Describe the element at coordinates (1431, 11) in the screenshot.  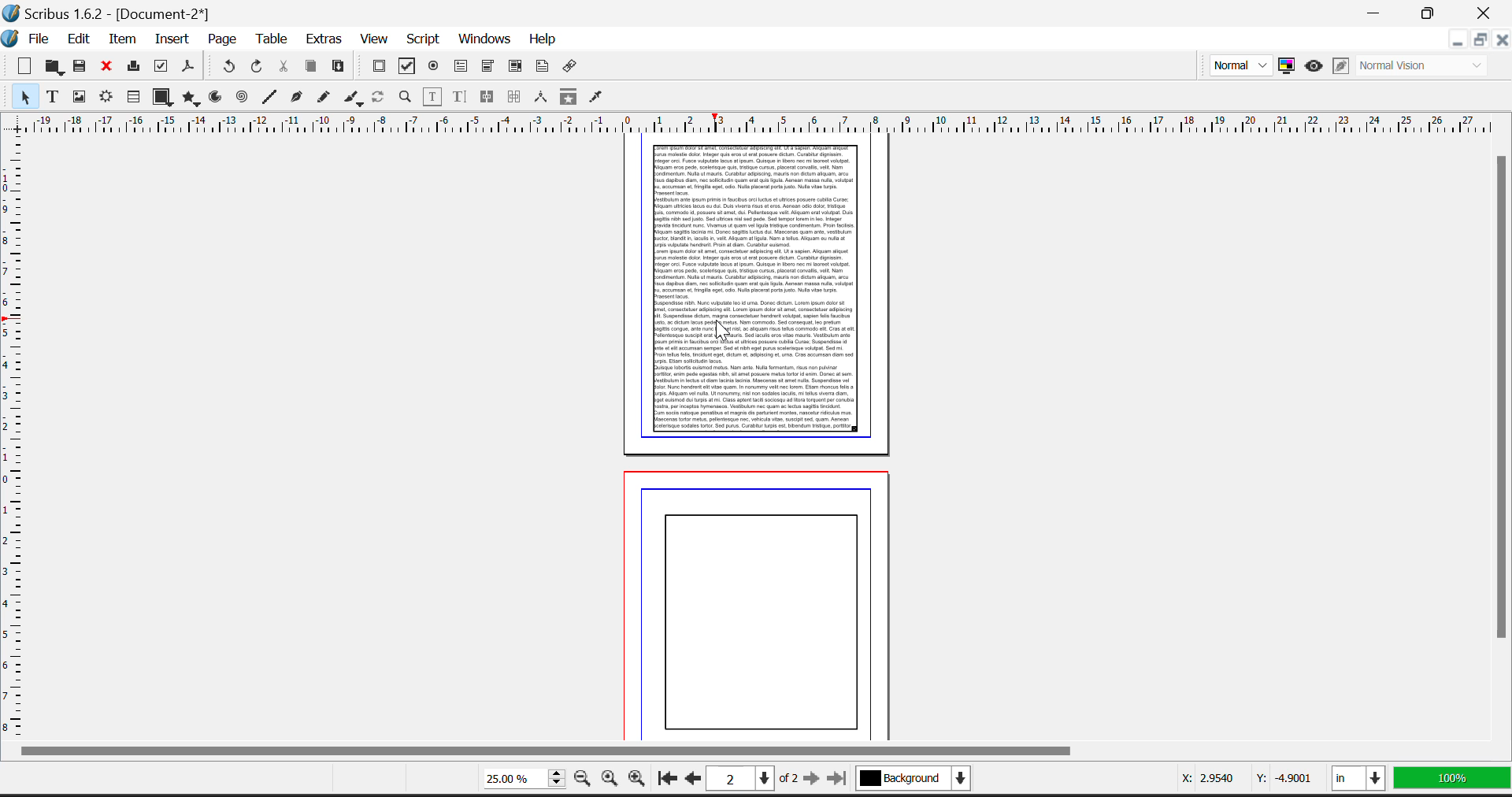
I see `Minimize` at that location.